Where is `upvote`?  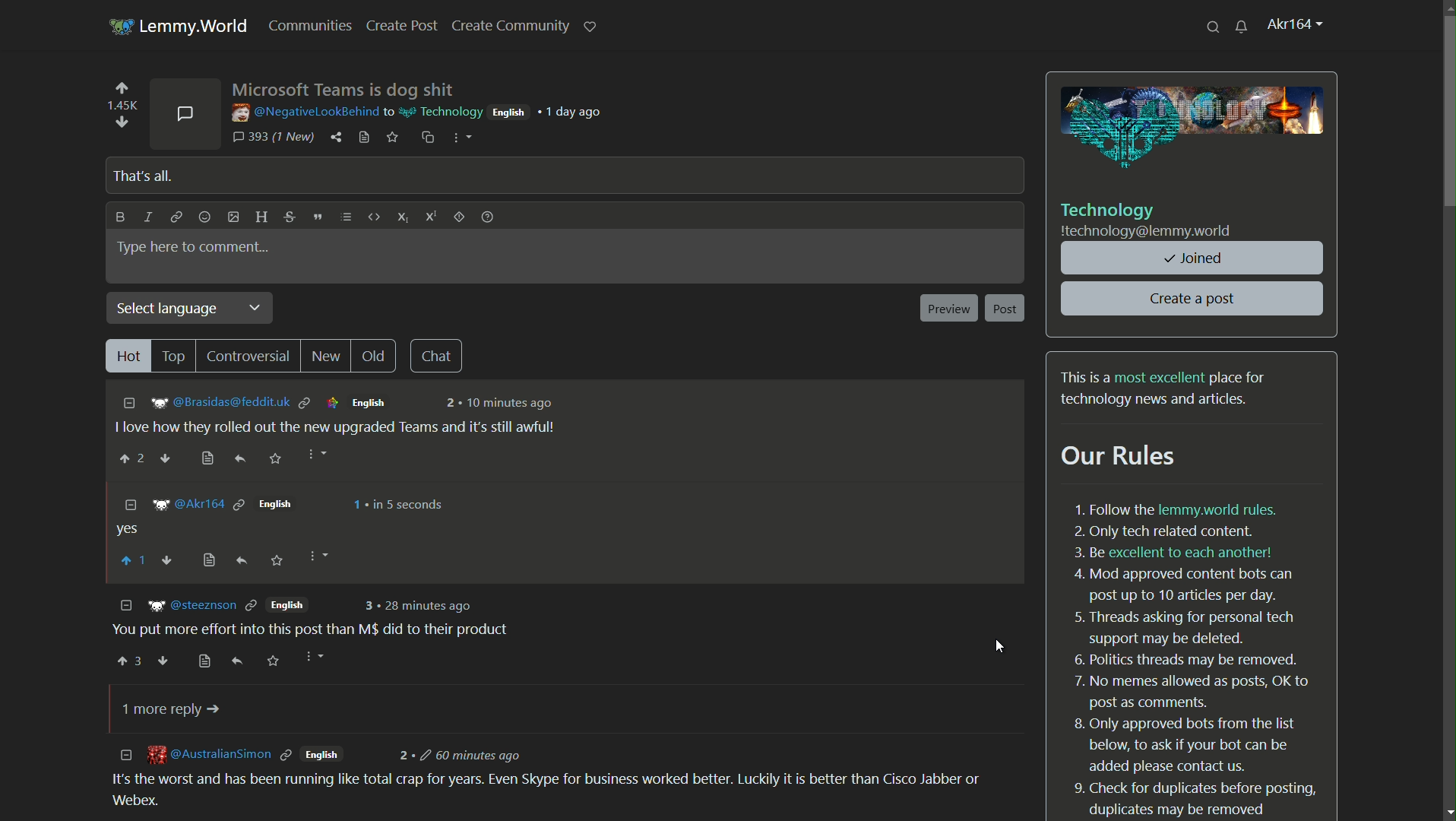
upvote is located at coordinates (130, 659).